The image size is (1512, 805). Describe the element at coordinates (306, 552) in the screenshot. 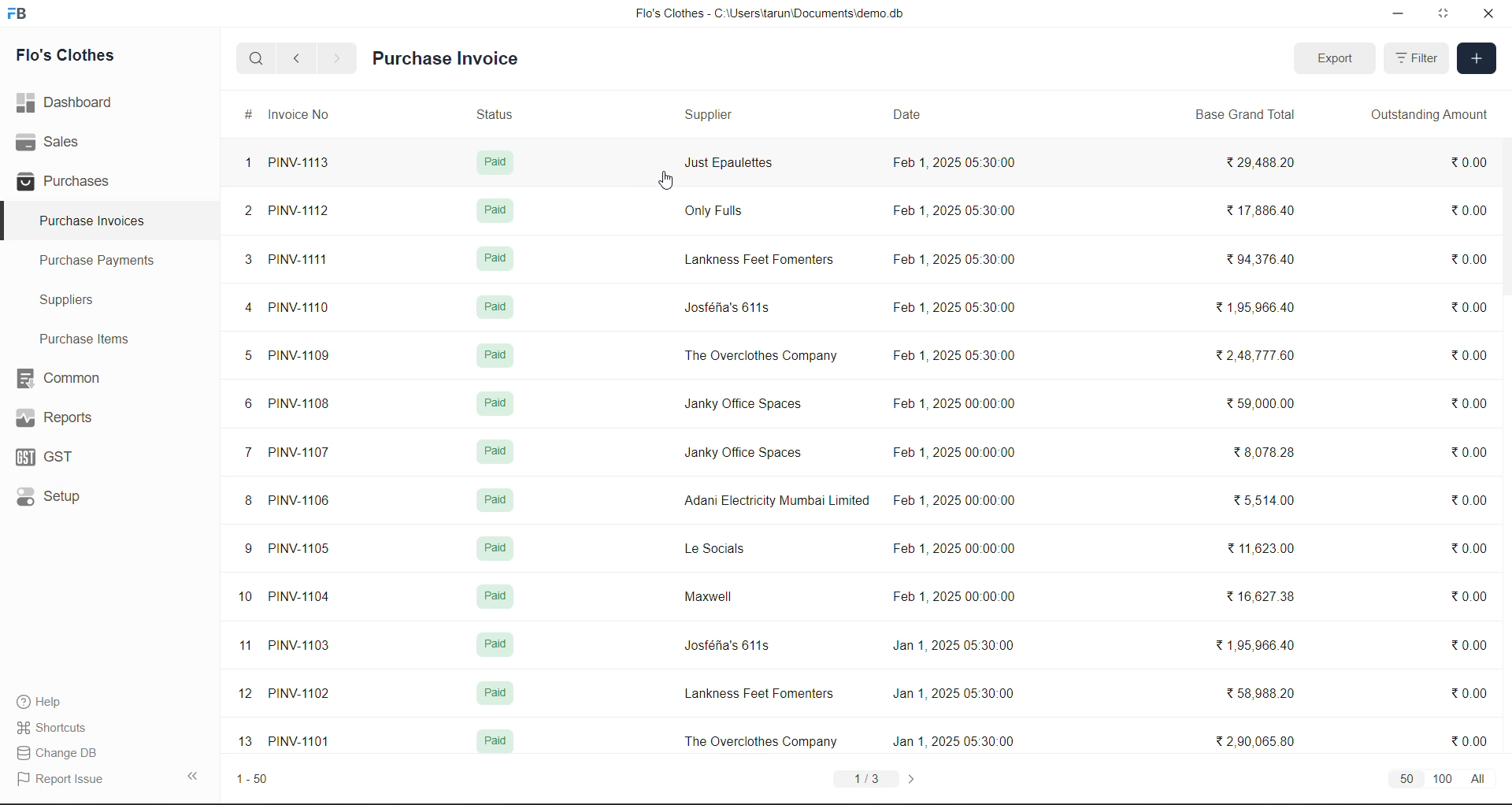

I see `PINV-1105` at that location.